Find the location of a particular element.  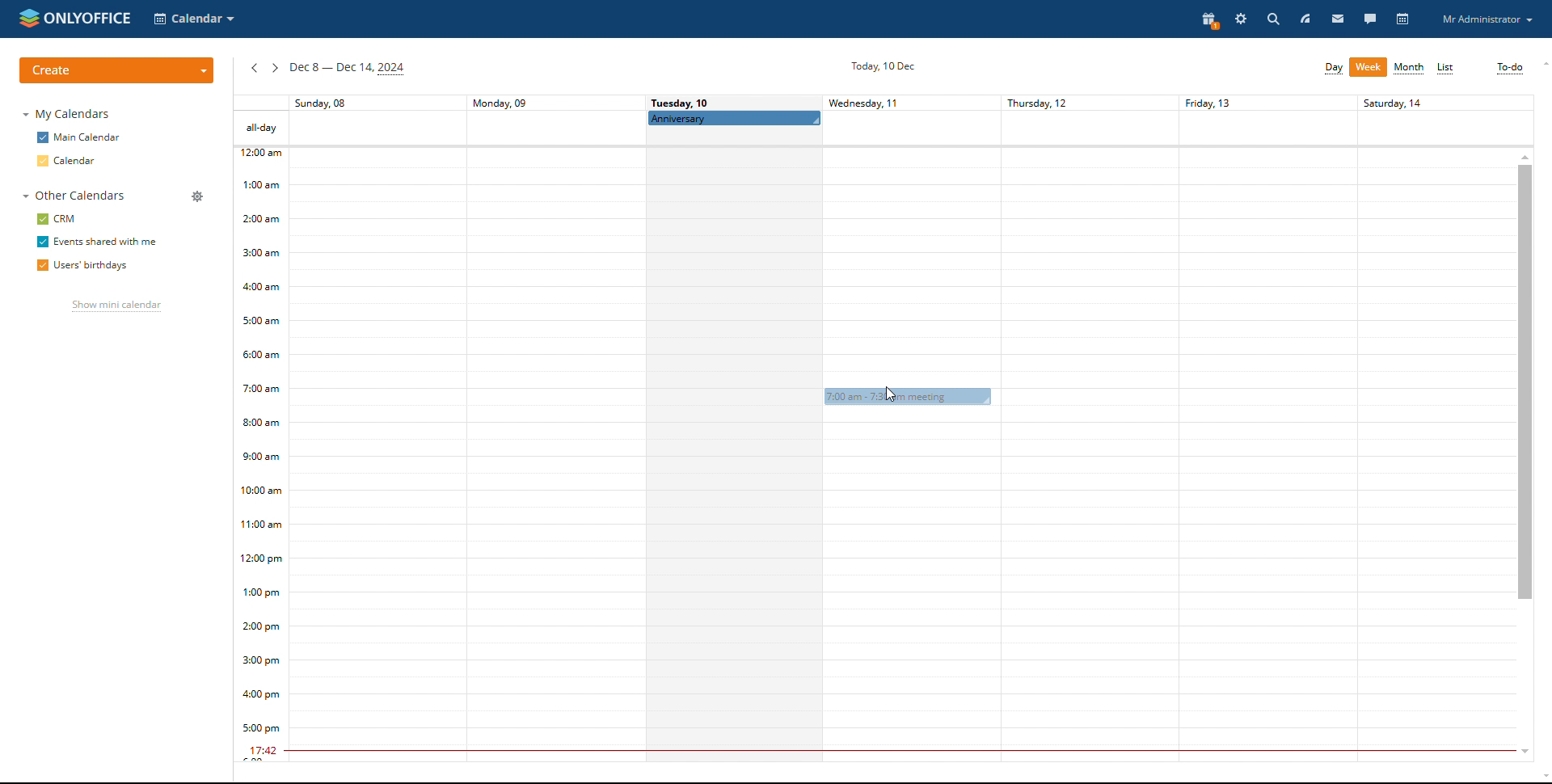

current week is located at coordinates (347, 70).